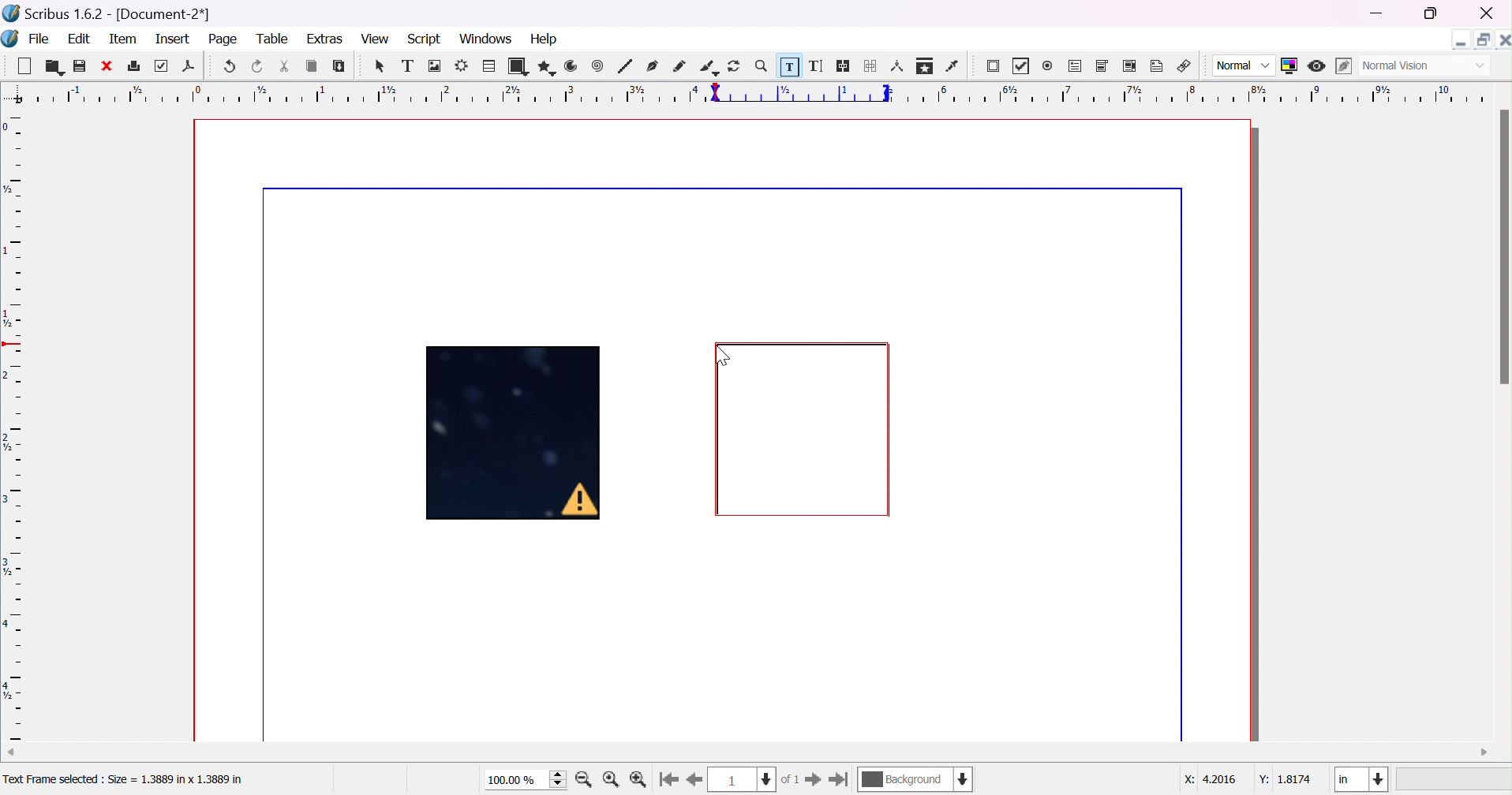  What do you see at coordinates (670, 779) in the screenshot?
I see `go to first page` at bounding box center [670, 779].